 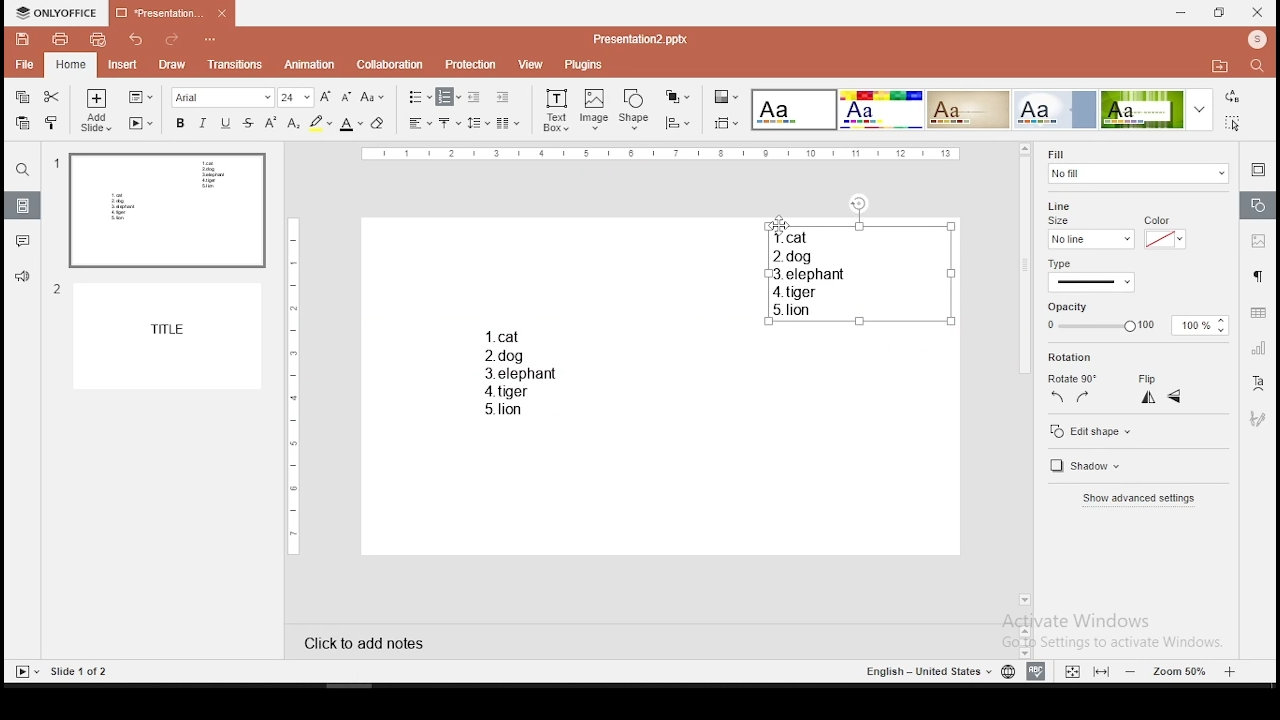 I want to click on slide , so click(x=172, y=337).